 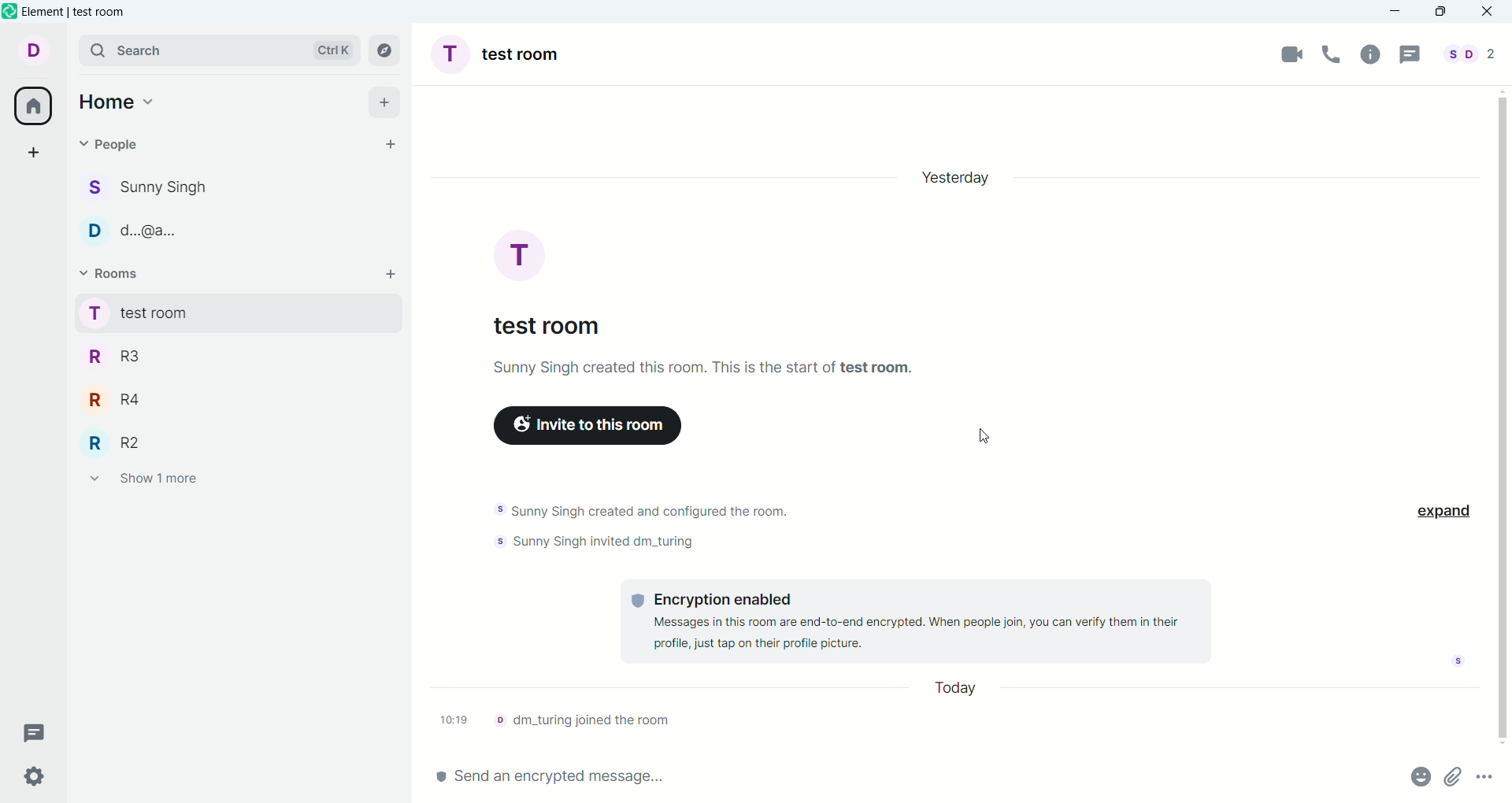 What do you see at coordinates (582, 431) in the screenshot?
I see `invite to this room` at bounding box center [582, 431].